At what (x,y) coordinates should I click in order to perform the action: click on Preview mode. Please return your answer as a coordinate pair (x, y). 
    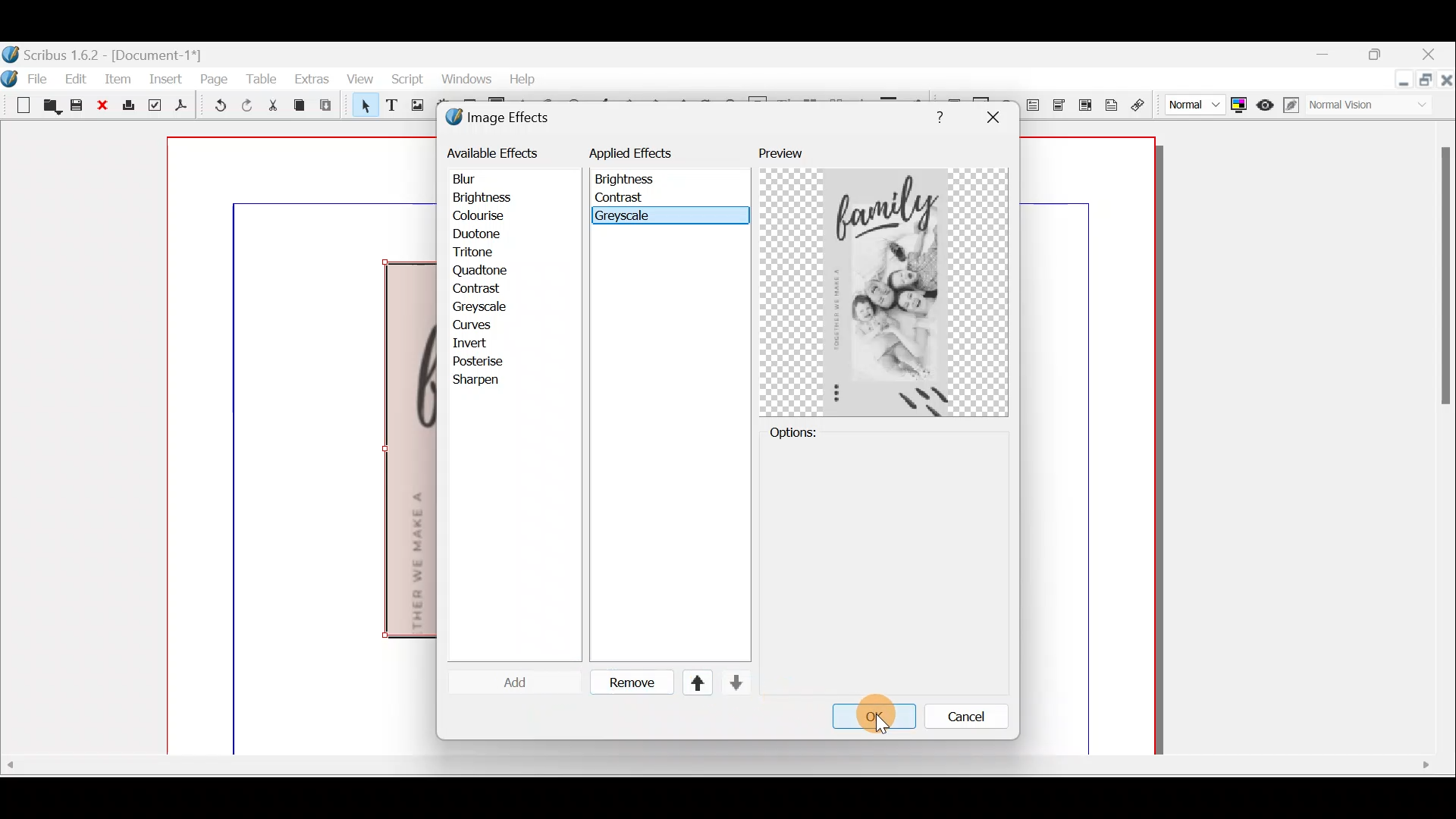
    Looking at the image, I should click on (1262, 102).